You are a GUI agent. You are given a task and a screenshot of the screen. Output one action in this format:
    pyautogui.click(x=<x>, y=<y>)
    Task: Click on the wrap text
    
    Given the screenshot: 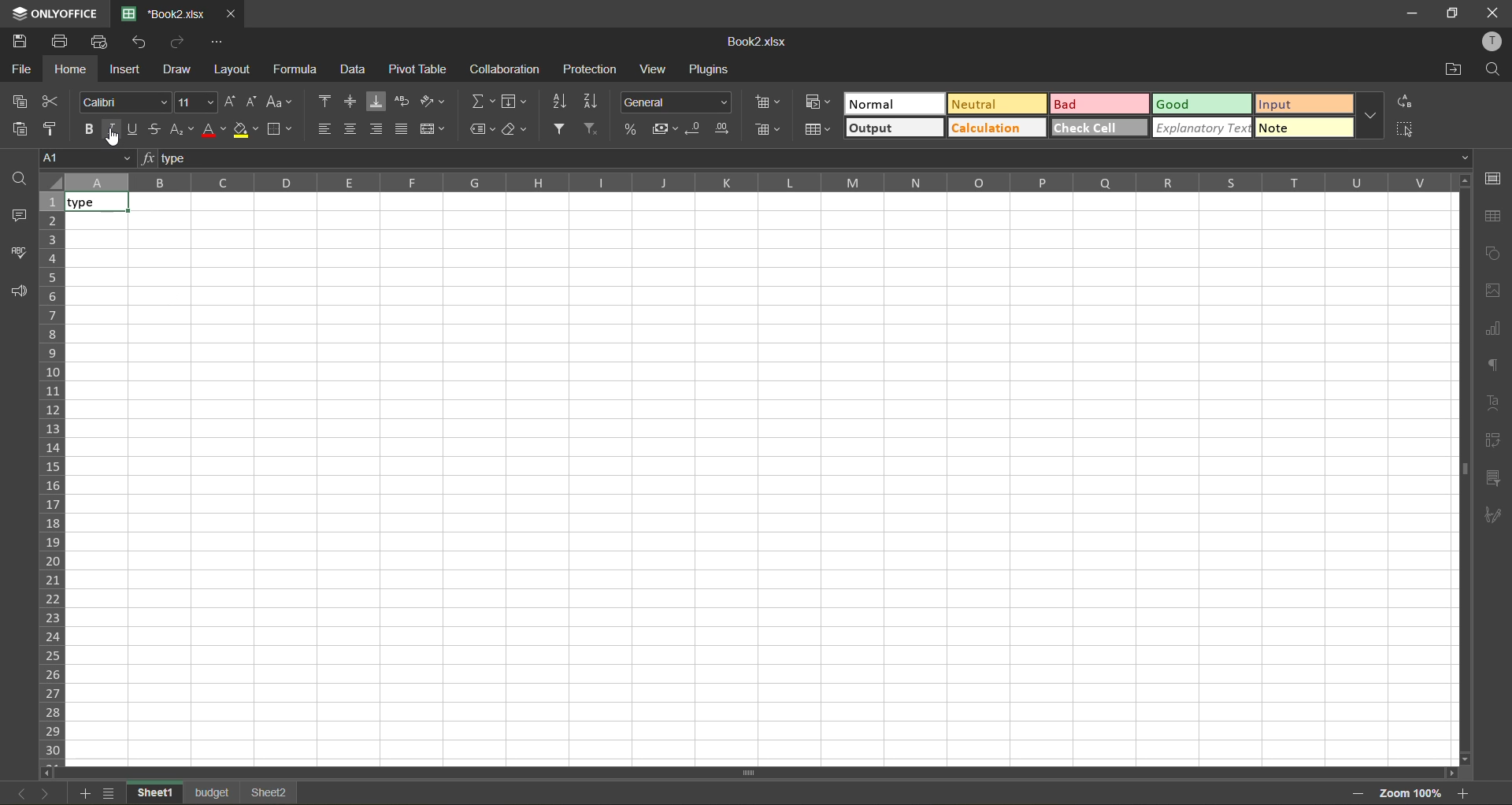 What is the action you would take?
    pyautogui.click(x=402, y=99)
    